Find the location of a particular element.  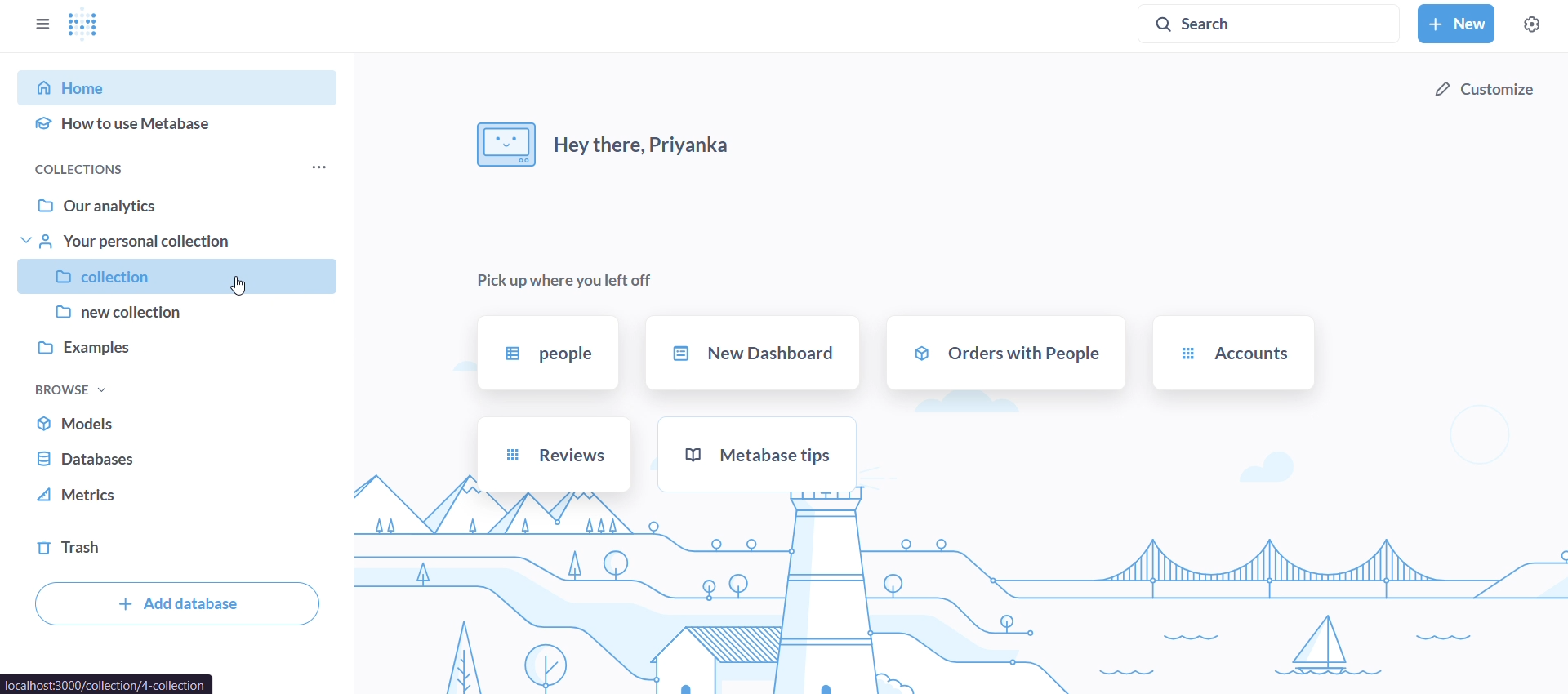

Cursor is located at coordinates (240, 288).